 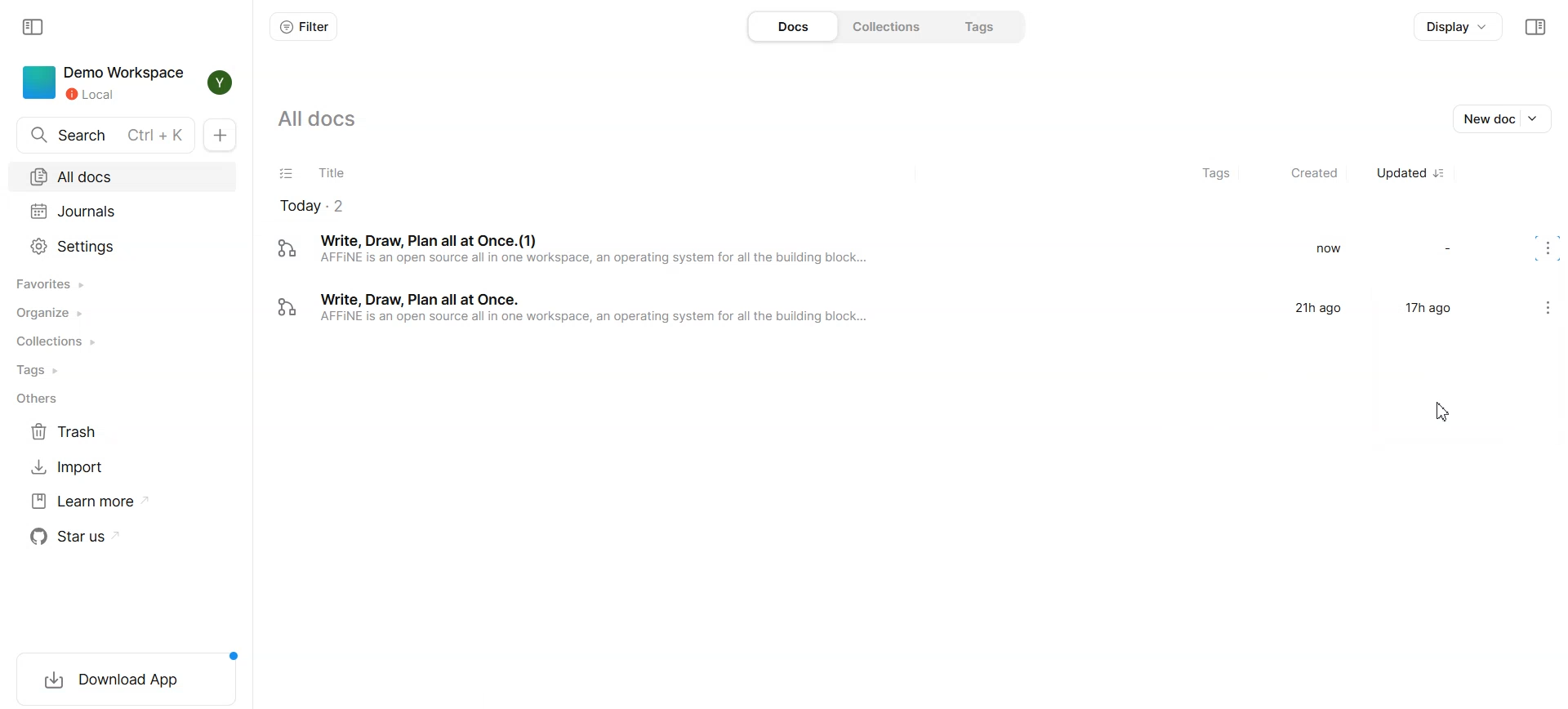 I want to click on Star us, so click(x=126, y=535).